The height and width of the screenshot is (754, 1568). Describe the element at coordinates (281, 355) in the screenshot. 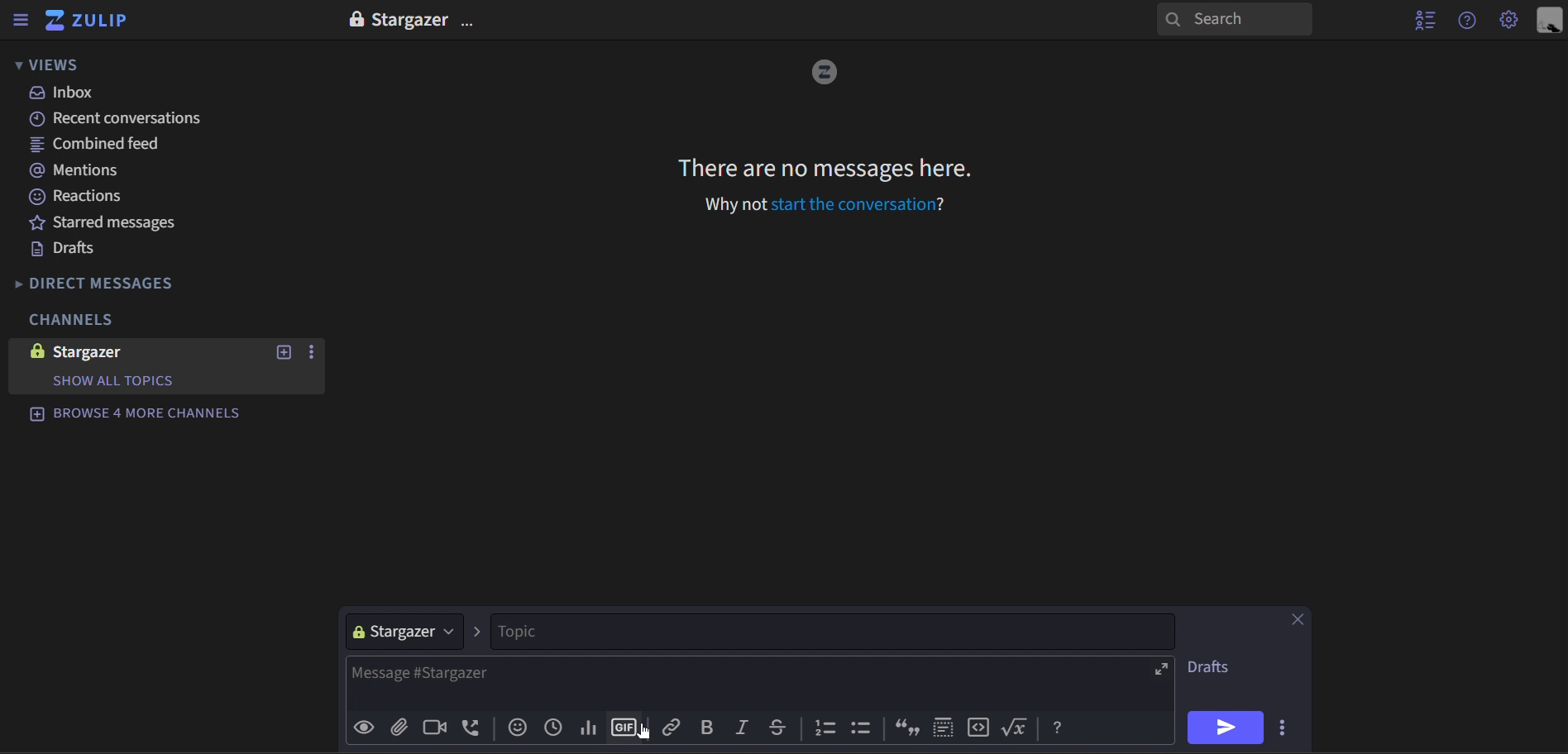

I see `new topic` at that location.